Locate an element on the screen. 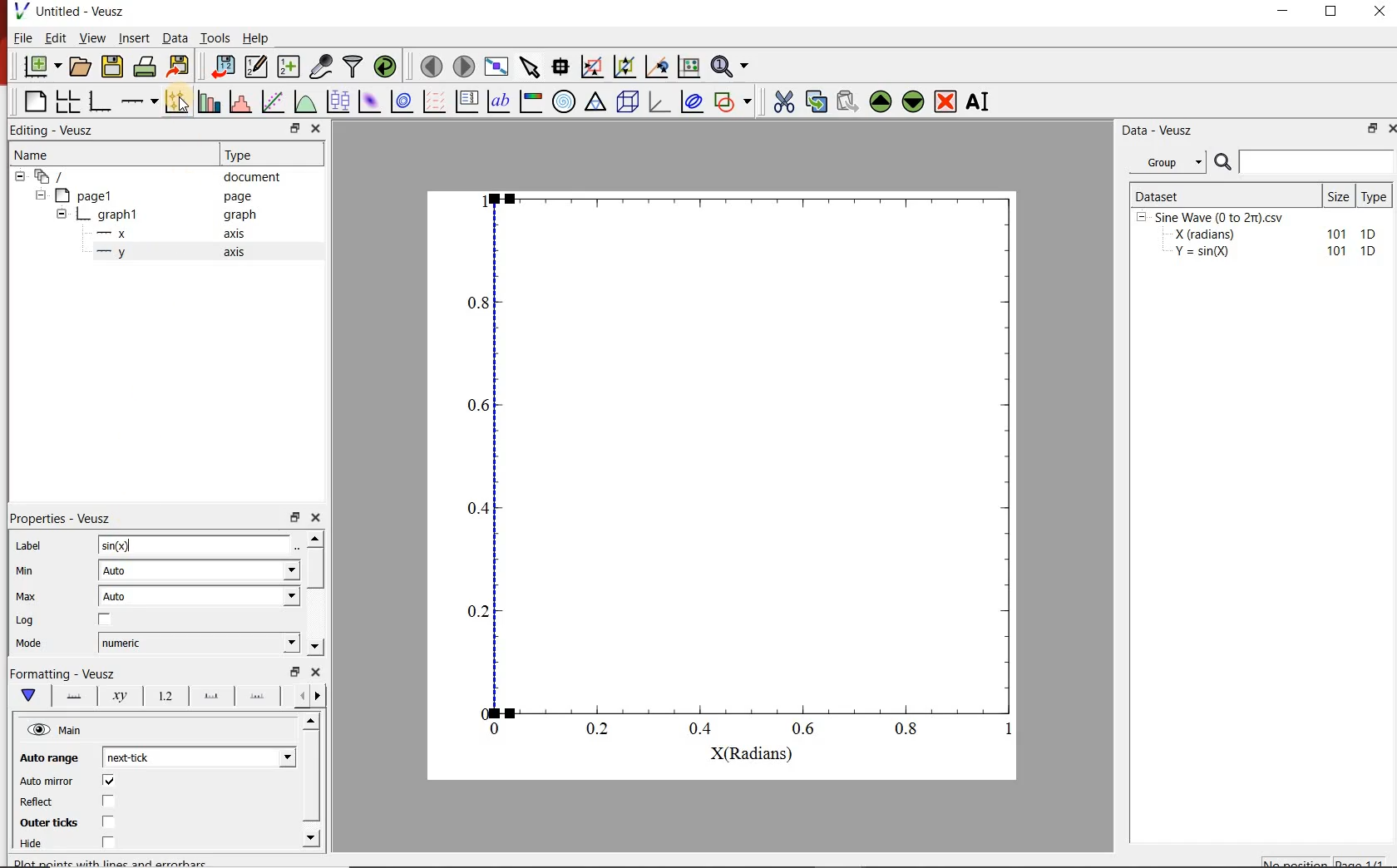  File is located at coordinates (23, 37).